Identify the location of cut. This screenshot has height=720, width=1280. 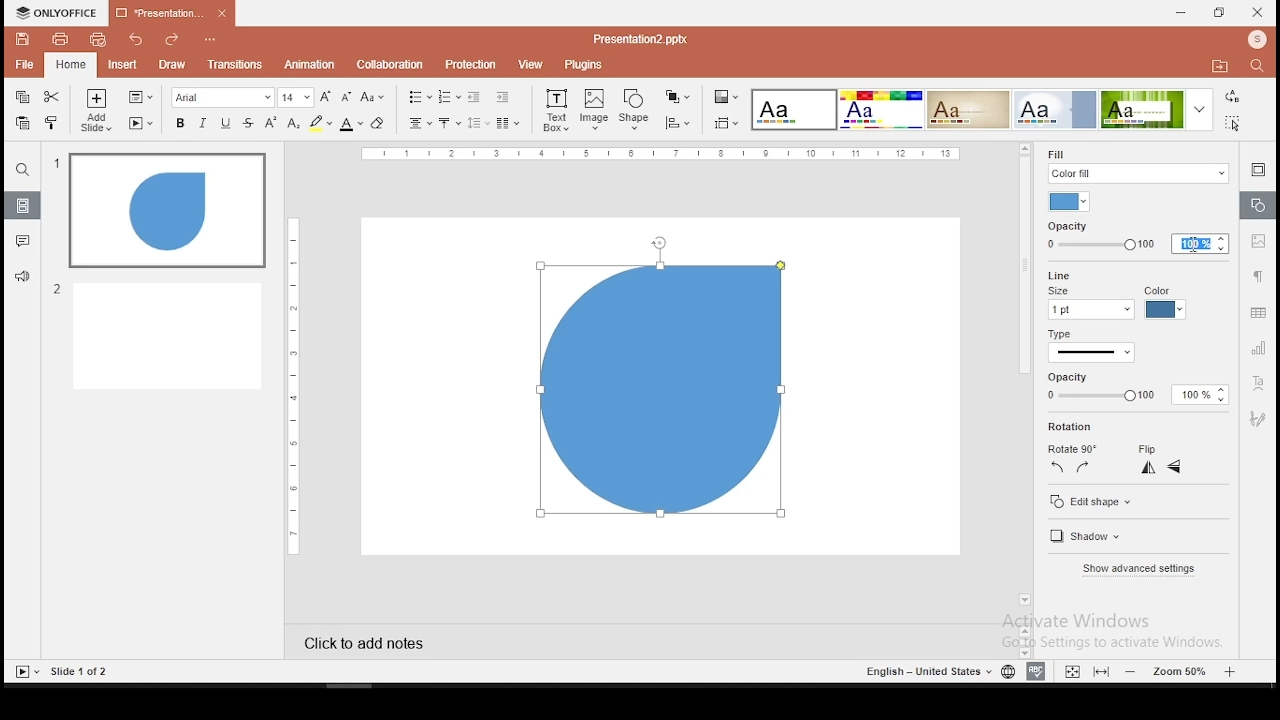
(51, 98).